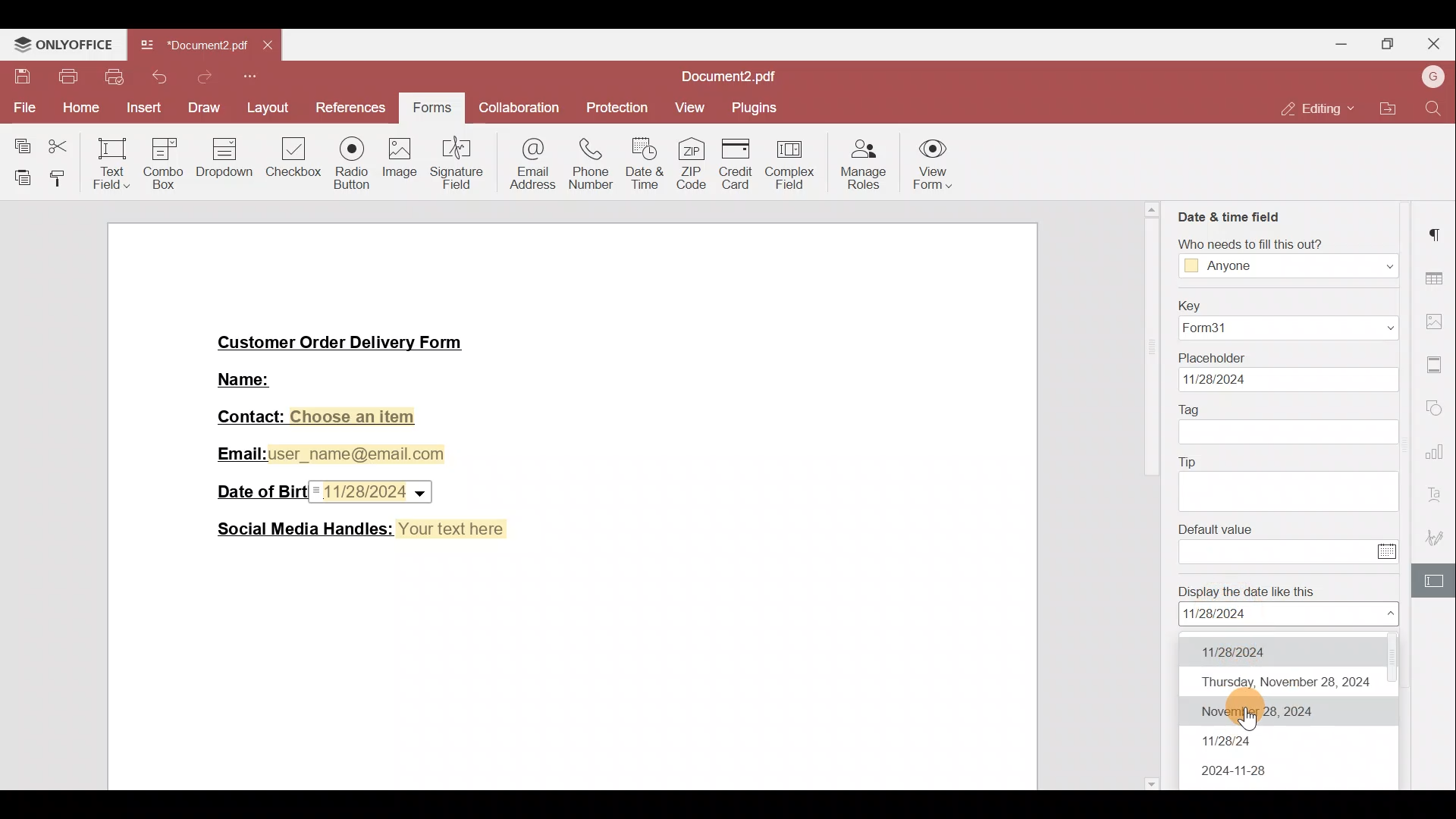 This screenshot has height=819, width=1456. Describe the element at coordinates (269, 111) in the screenshot. I see `Layout` at that location.